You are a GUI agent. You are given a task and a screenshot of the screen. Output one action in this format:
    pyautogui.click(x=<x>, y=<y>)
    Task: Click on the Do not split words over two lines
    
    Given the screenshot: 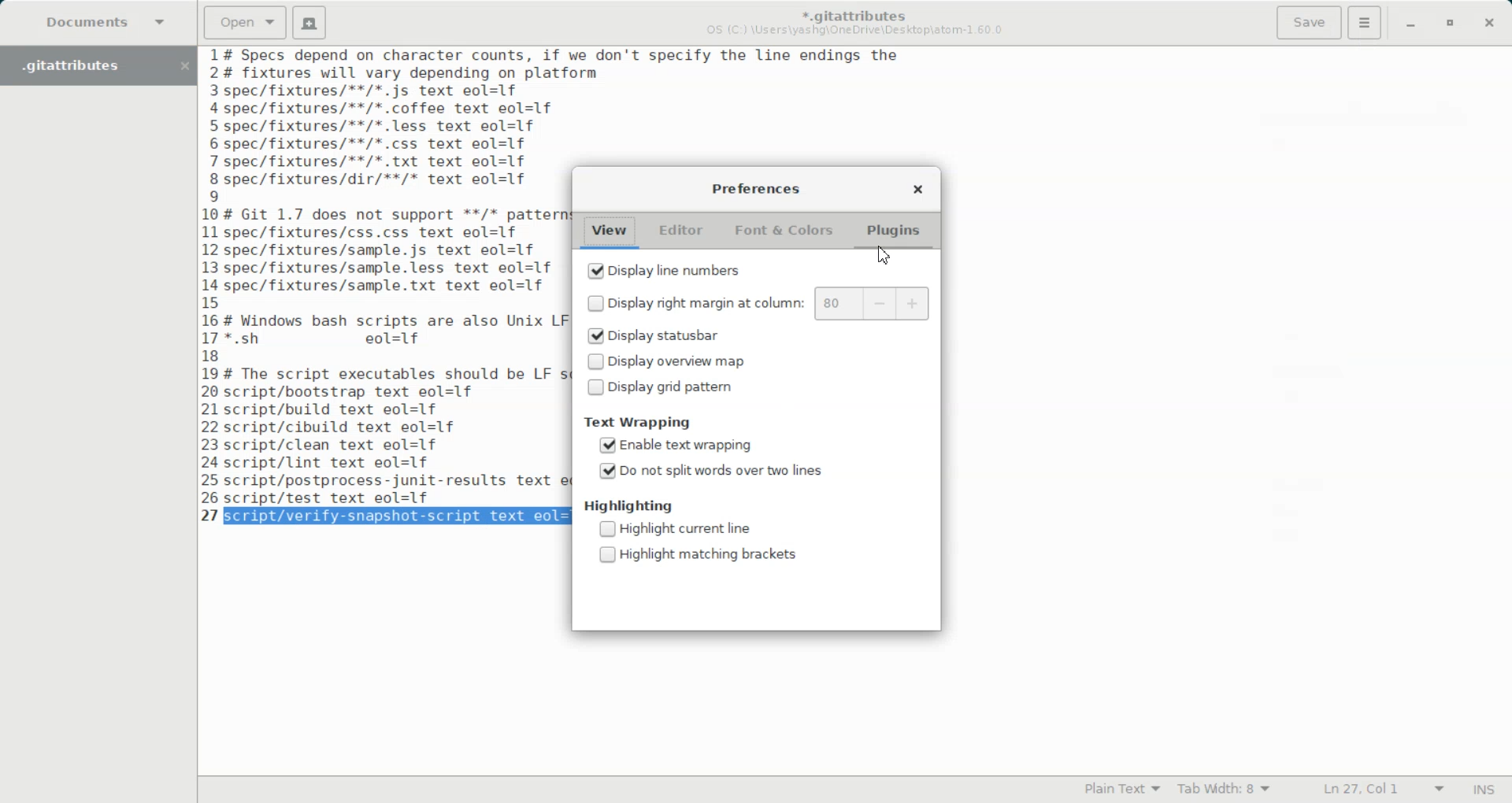 What is the action you would take?
    pyautogui.click(x=711, y=472)
    